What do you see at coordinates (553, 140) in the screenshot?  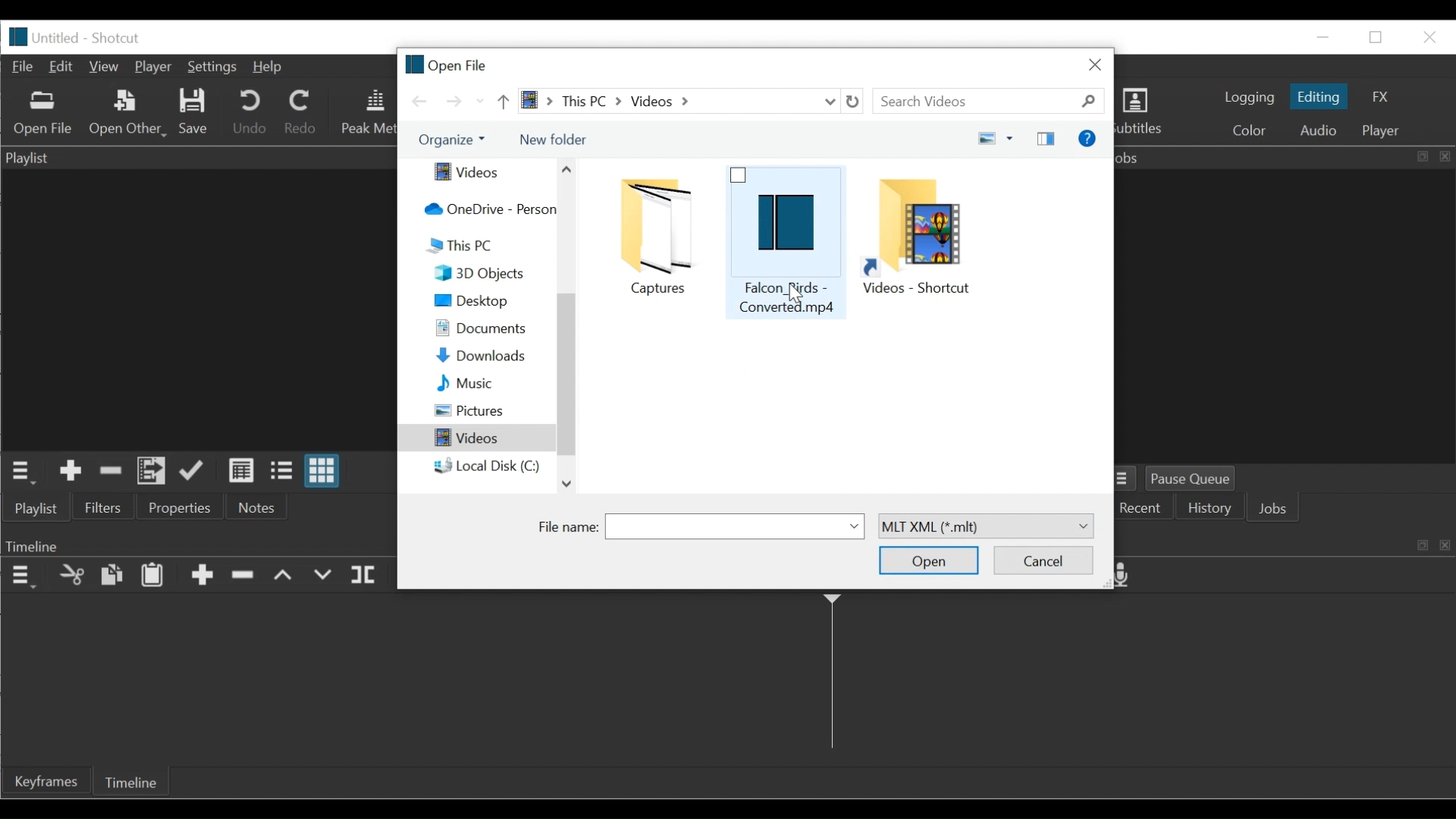 I see `New Folder` at bounding box center [553, 140].